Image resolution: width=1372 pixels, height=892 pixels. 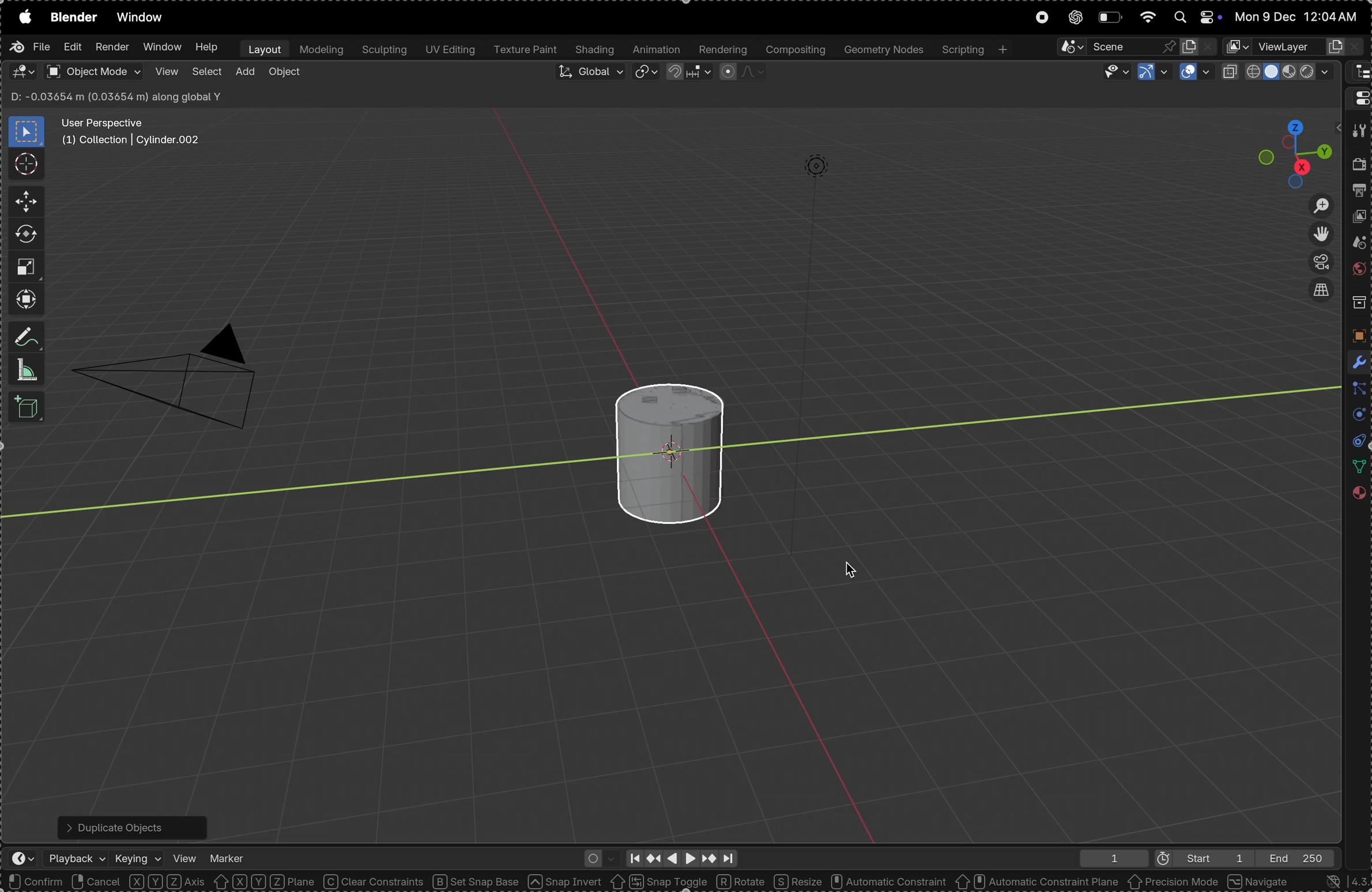 I want to click on marker, so click(x=228, y=855).